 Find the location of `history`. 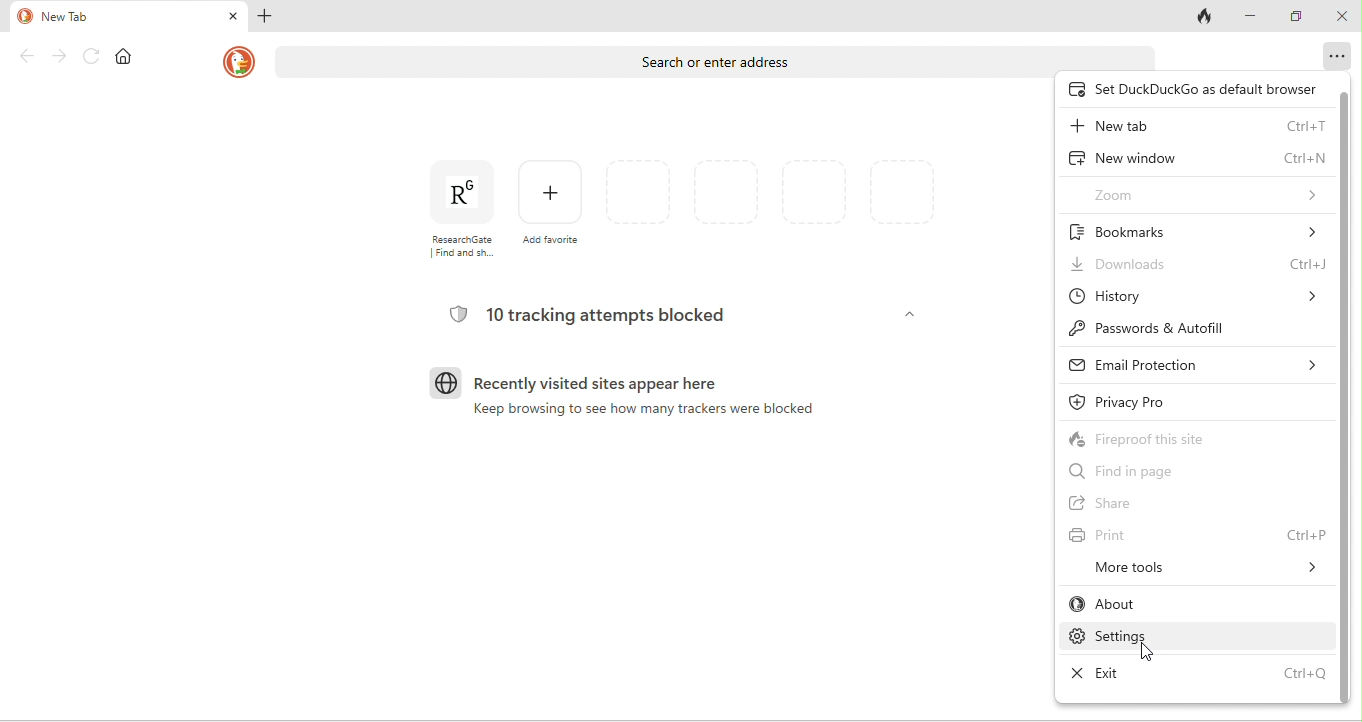

history is located at coordinates (1196, 293).